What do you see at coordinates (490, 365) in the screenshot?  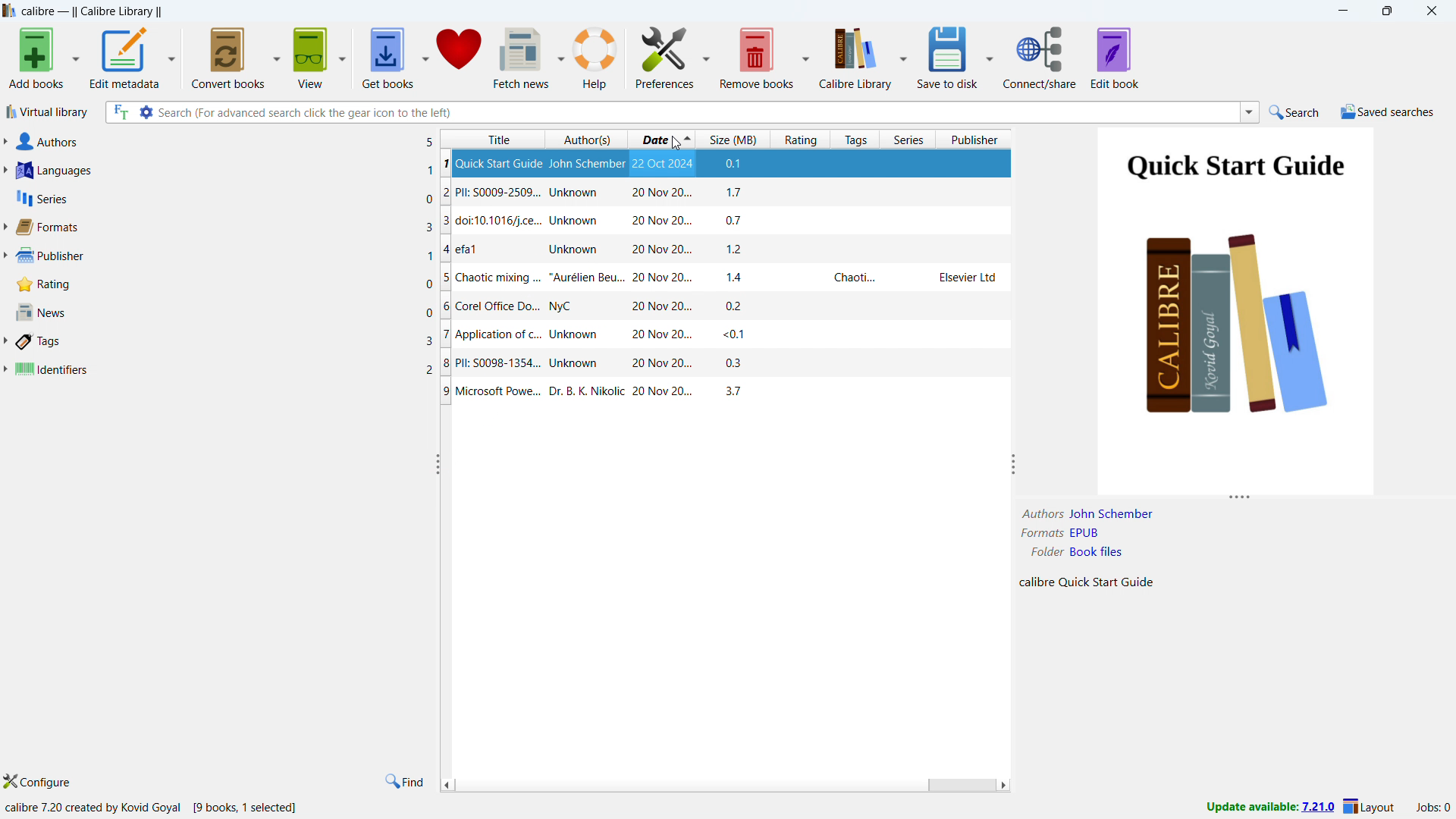 I see `8 Corel Office Do...` at bounding box center [490, 365].